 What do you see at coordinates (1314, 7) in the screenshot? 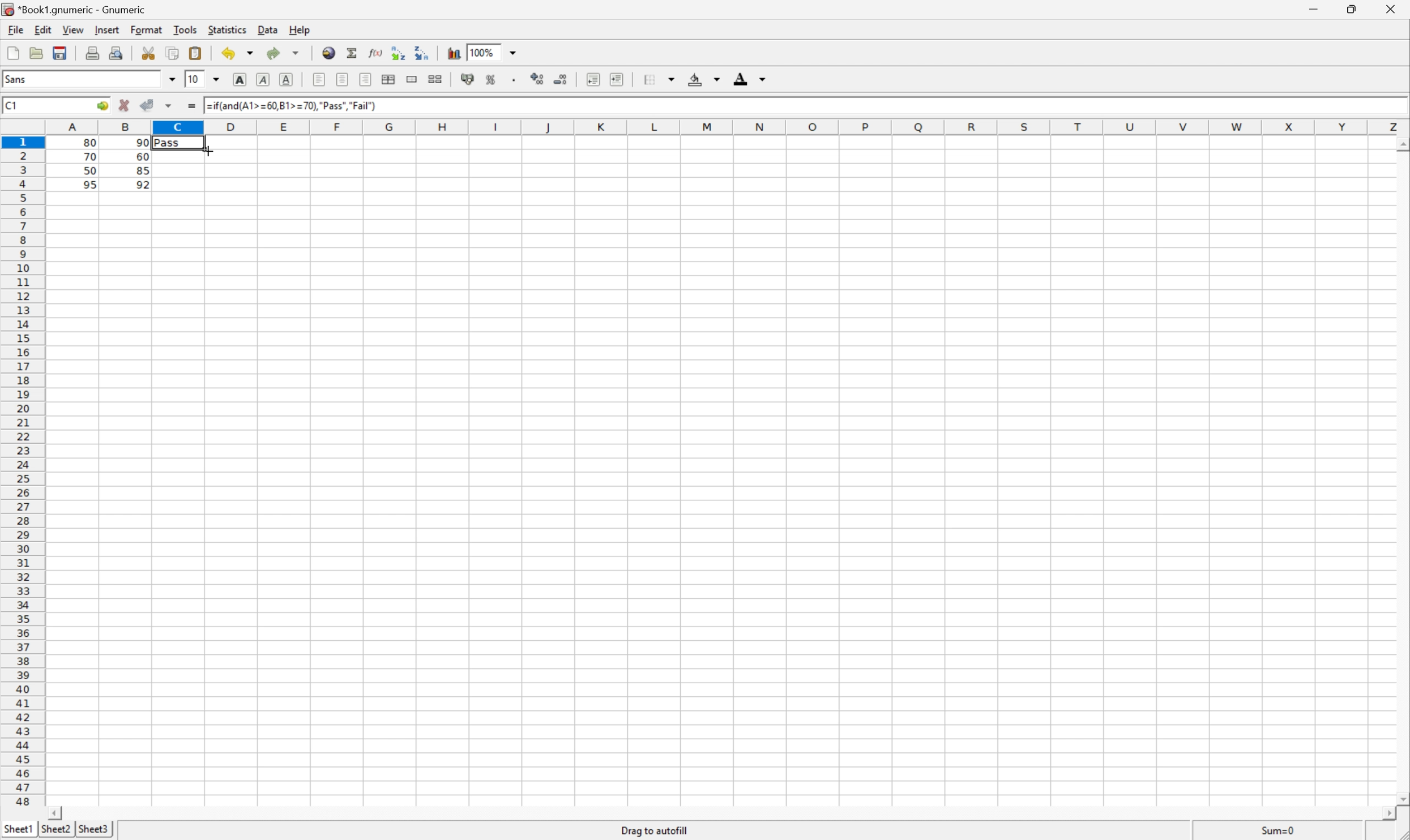
I see `Minimize` at bounding box center [1314, 7].